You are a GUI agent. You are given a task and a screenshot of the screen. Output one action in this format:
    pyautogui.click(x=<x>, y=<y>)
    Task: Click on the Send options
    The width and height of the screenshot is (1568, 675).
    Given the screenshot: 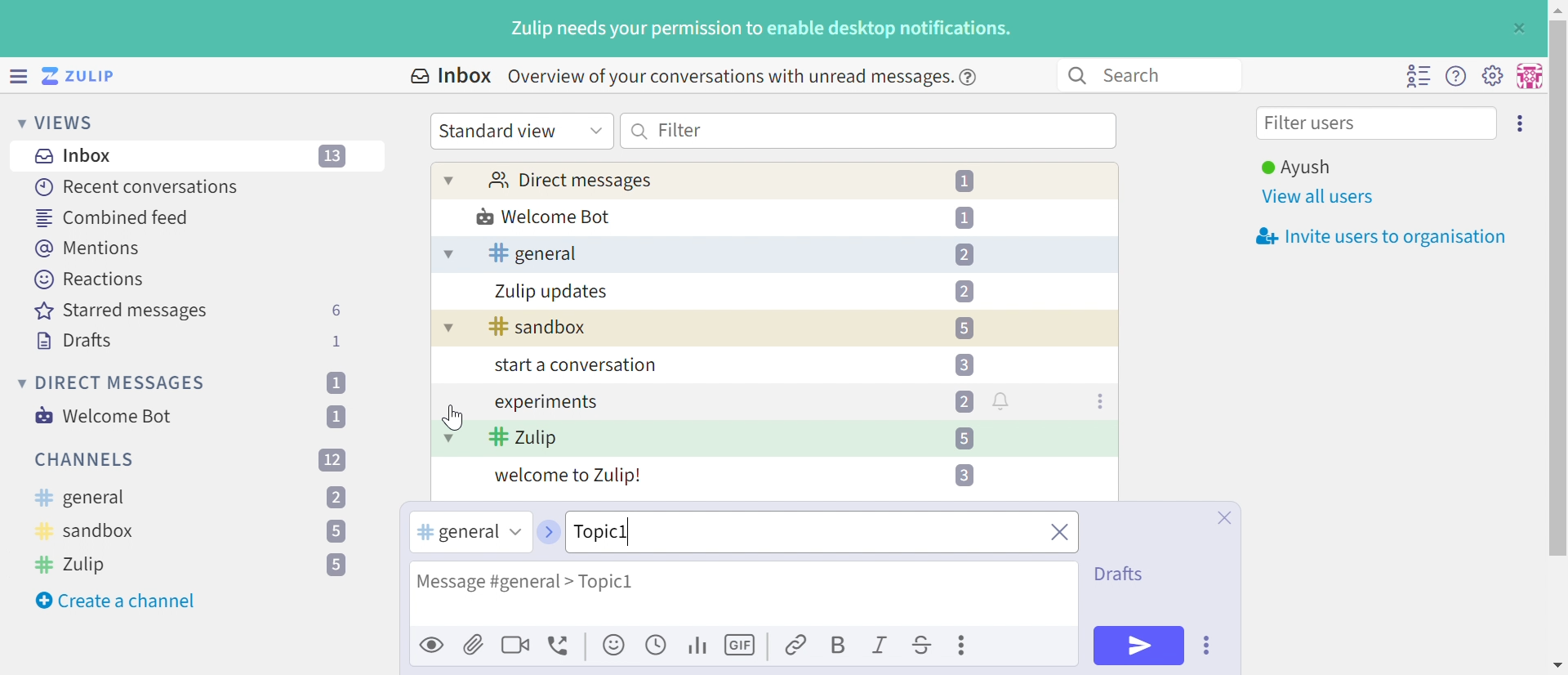 What is the action you would take?
    pyautogui.click(x=1208, y=646)
    